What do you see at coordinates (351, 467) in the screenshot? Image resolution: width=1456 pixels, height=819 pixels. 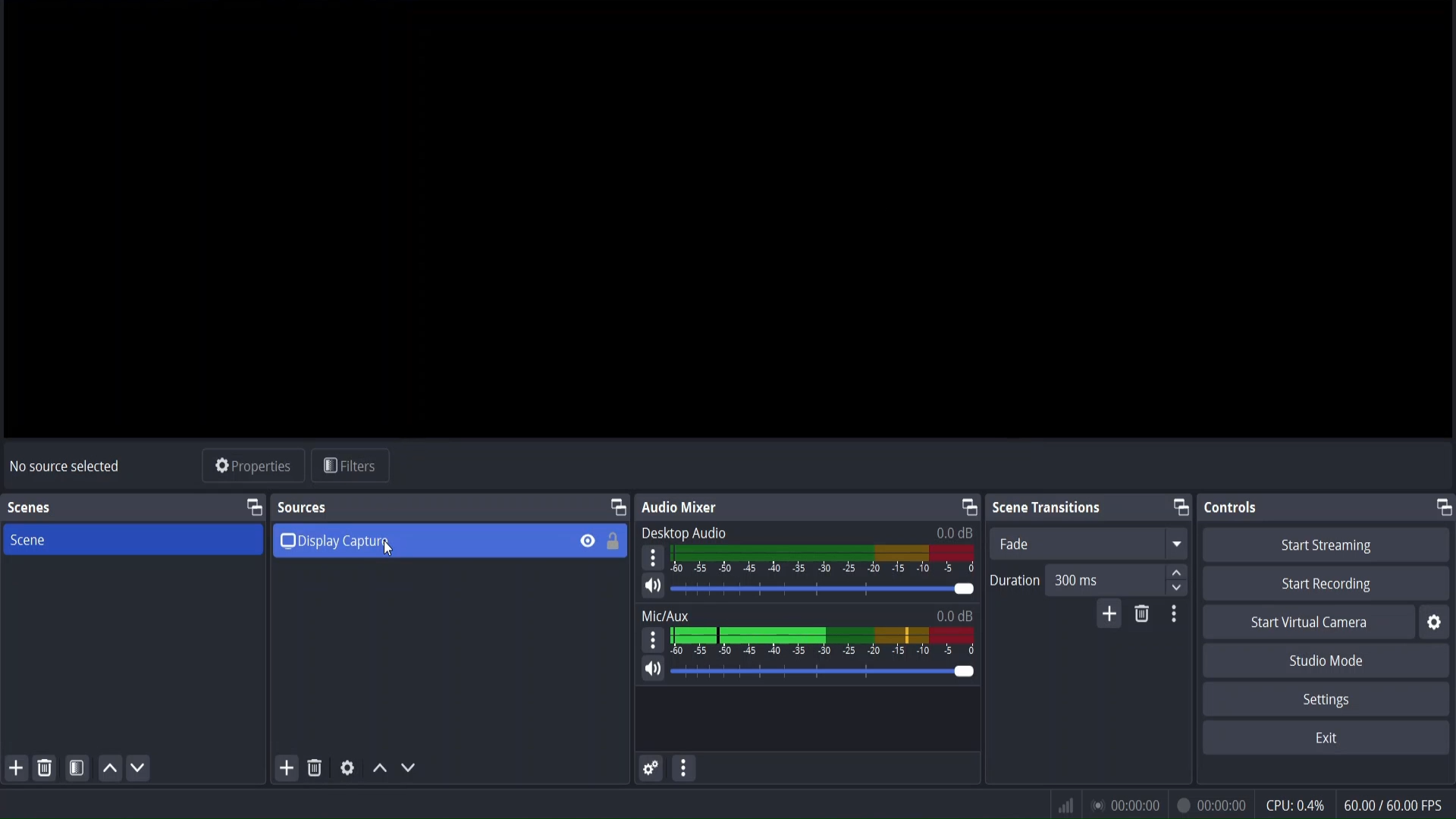 I see `filters` at bounding box center [351, 467].